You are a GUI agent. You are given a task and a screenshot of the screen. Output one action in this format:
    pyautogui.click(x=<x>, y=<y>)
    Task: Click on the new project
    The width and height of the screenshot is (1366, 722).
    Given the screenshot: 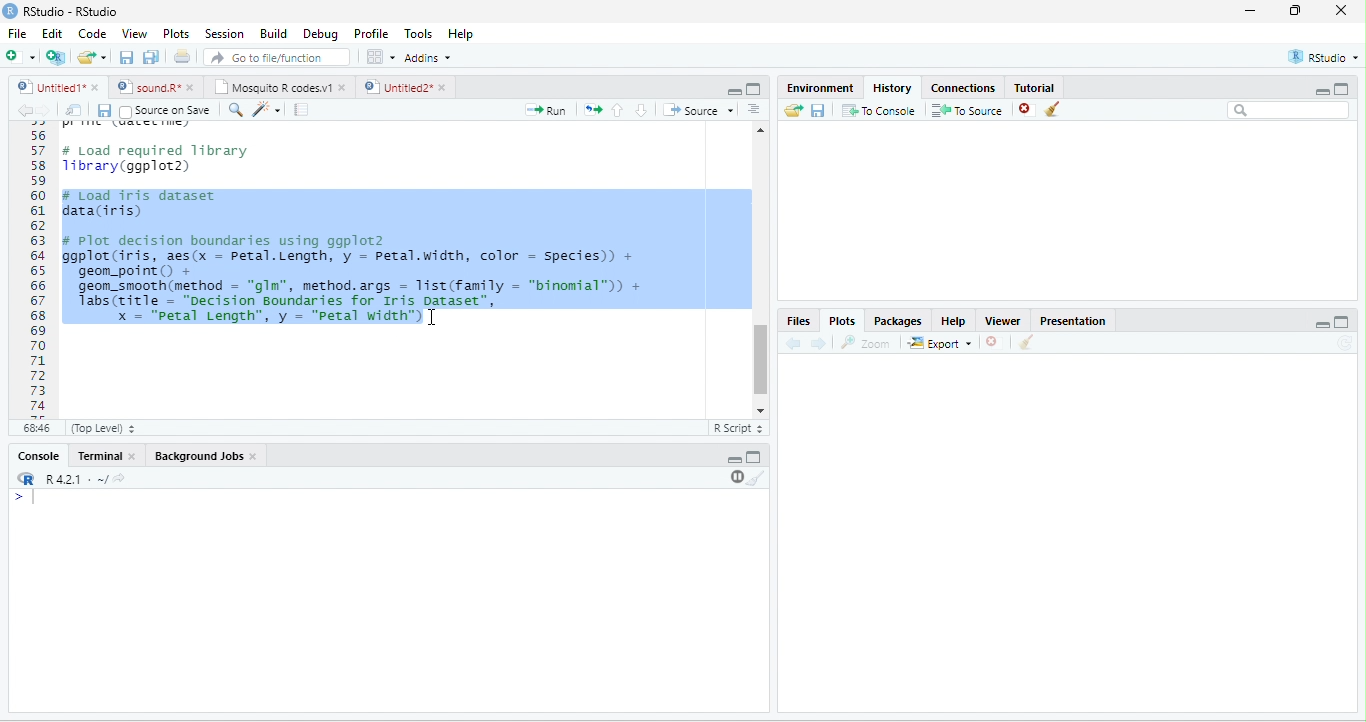 What is the action you would take?
    pyautogui.click(x=56, y=58)
    